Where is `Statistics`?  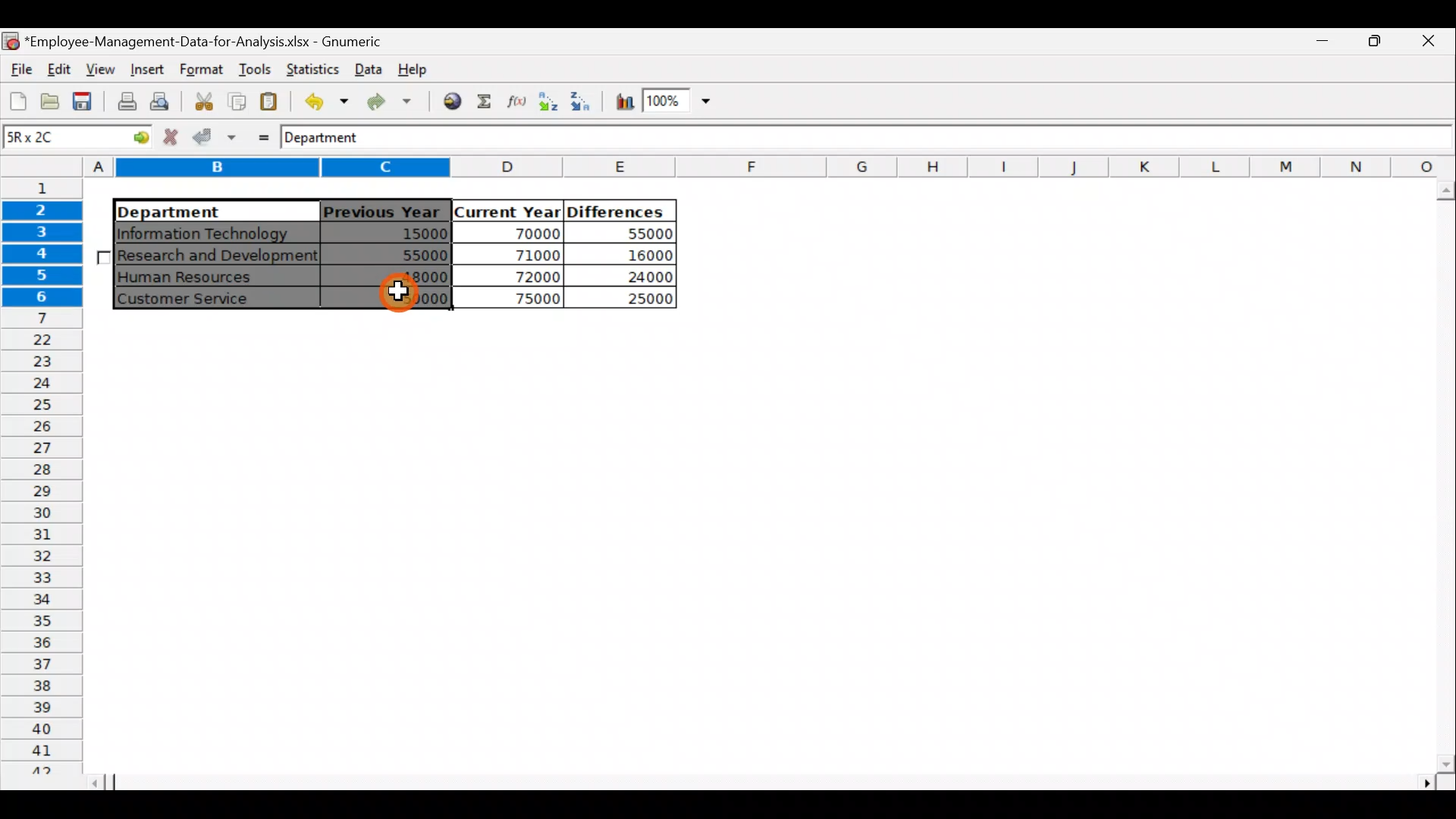
Statistics is located at coordinates (313, 68).